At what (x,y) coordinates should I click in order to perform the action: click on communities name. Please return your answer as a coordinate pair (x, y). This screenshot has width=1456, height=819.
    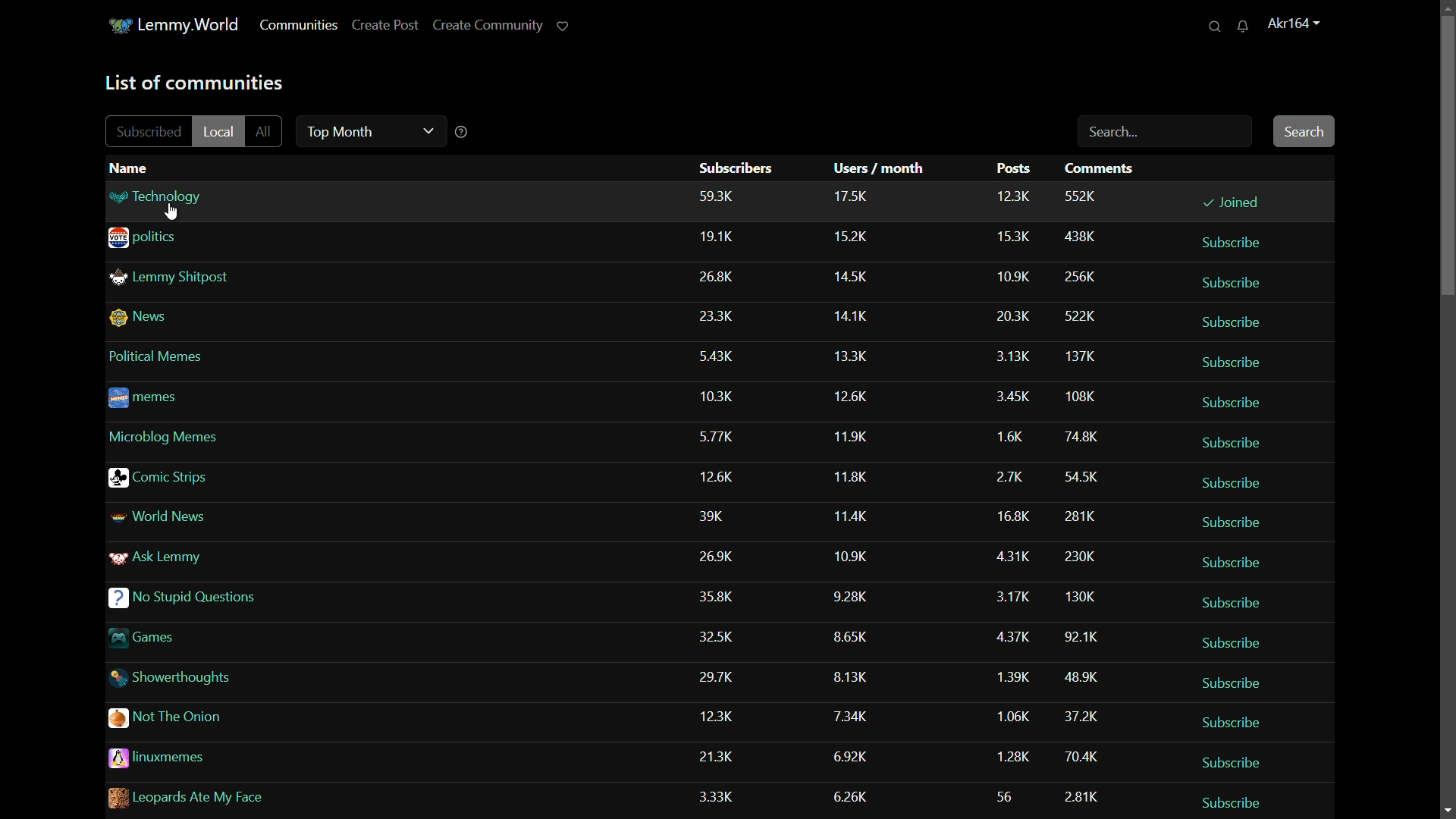
    Looking at the image, I should click on (171, 275).